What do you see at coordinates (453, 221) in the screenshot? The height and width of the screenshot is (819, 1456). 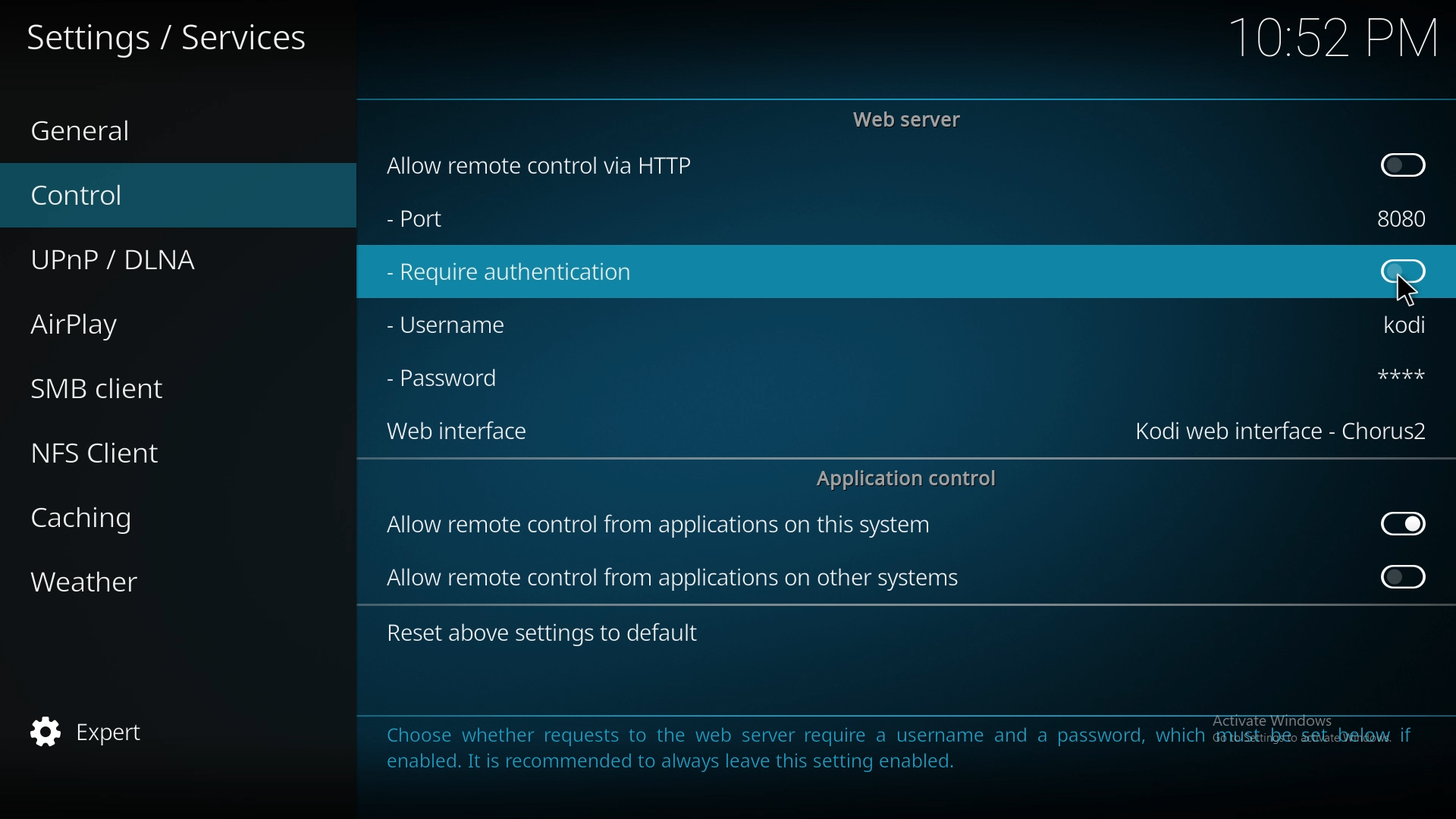 I see `port` at bounding box center [453, 221].